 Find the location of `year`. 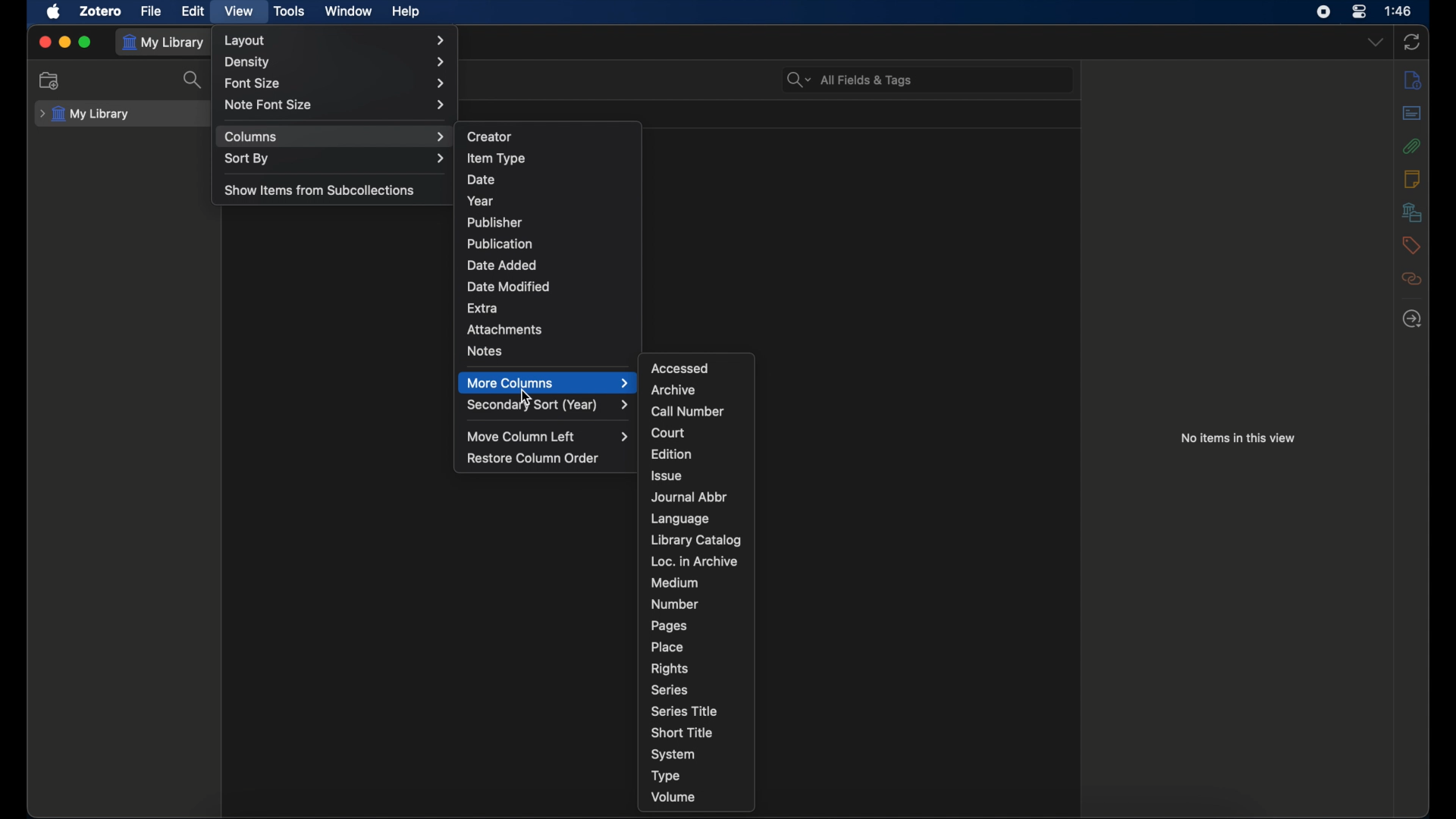

year is located at coordinates (481, 201).